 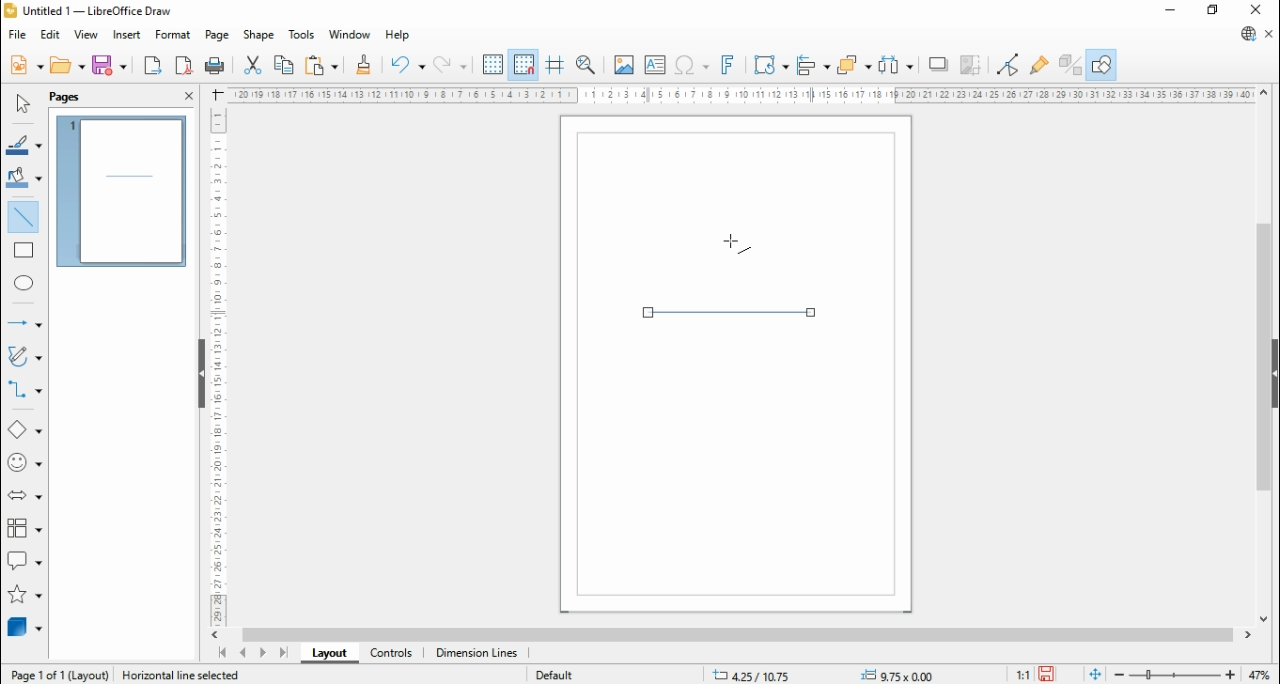 I want to click on insert special character, so click(x=690, y=65).